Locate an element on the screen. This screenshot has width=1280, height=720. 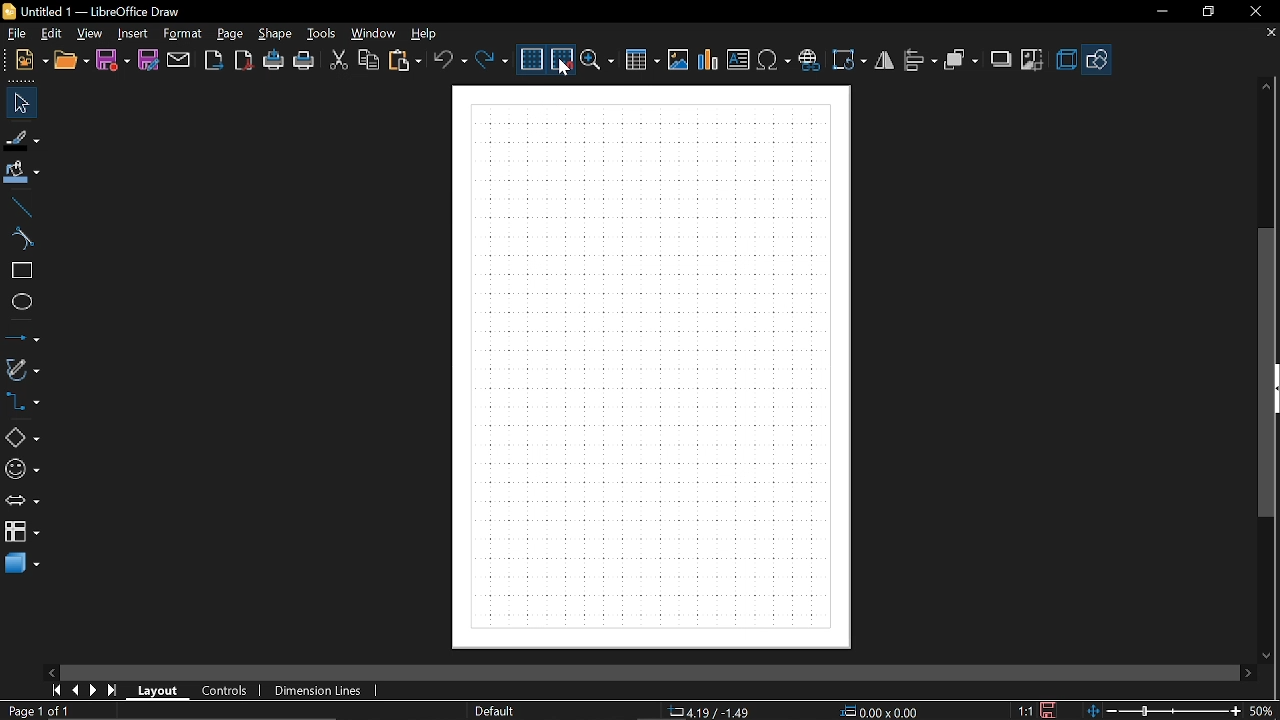
3d effect is located at coordinates (1068, 61).